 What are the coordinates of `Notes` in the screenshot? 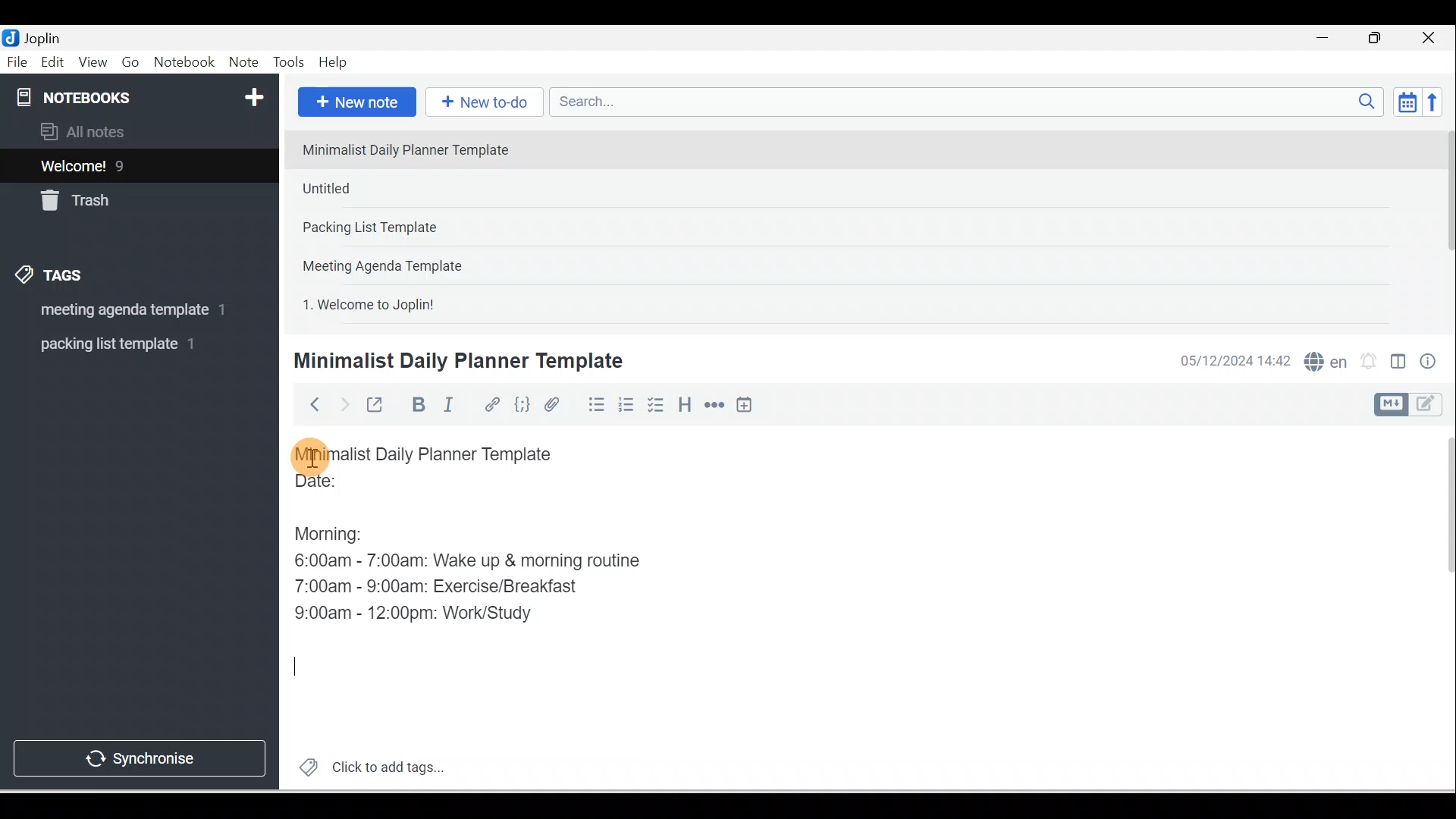 It's located at (128, 162).